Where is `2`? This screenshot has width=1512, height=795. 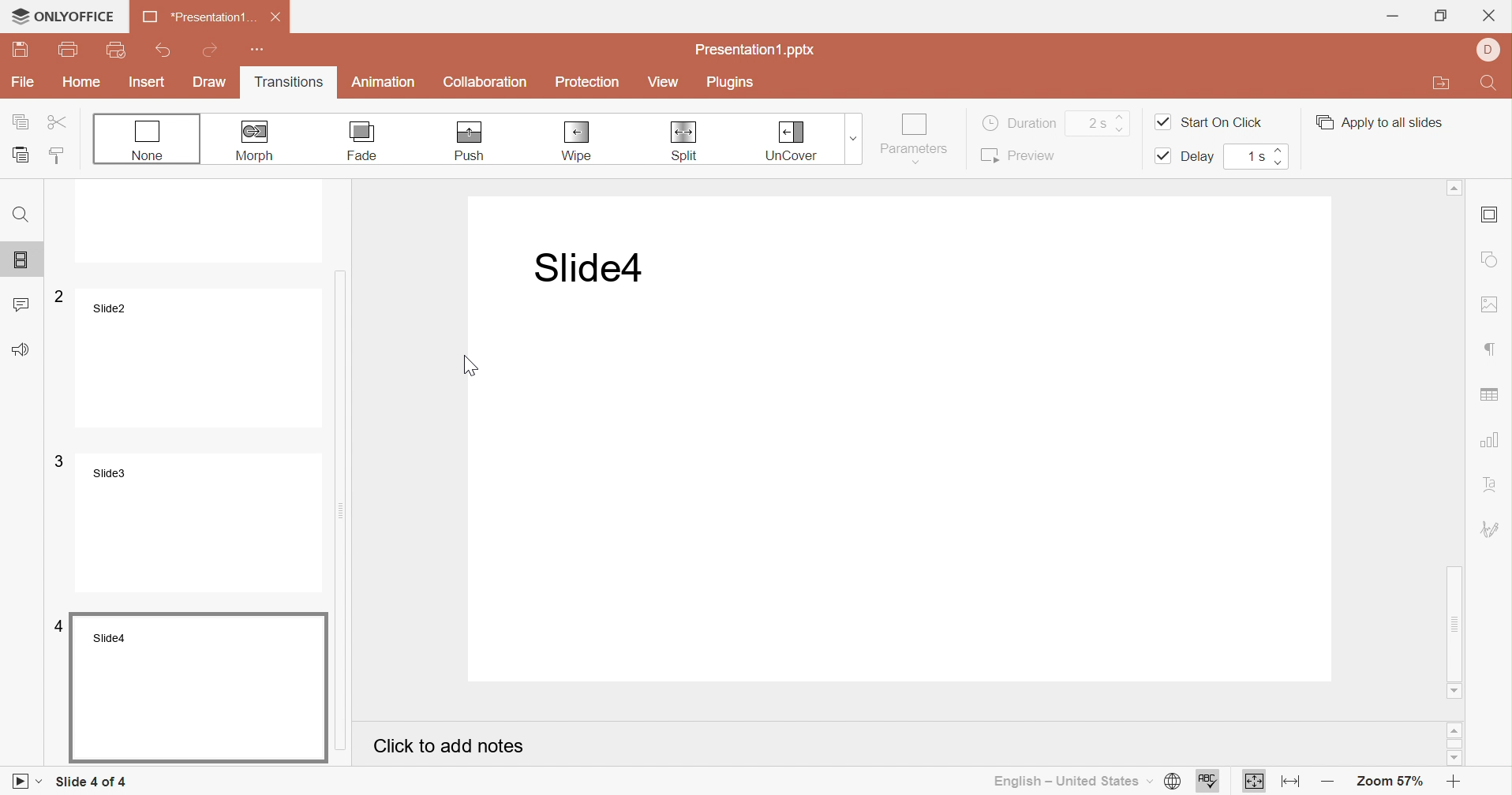 2 is located at coordinates (58, 298).